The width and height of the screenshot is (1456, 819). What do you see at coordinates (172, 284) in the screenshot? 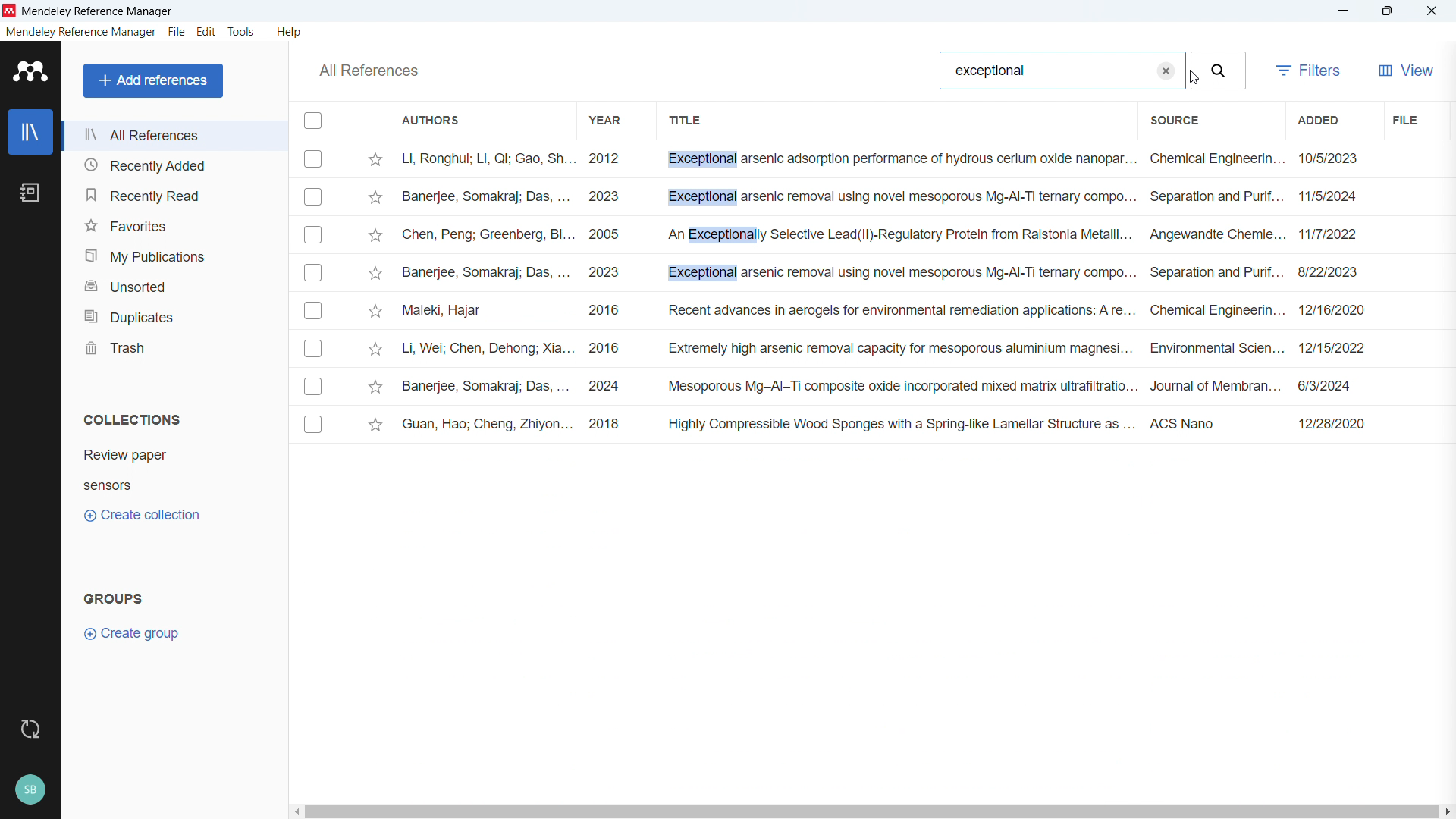
I see `unsorted ` at bounding box center [172, 284].